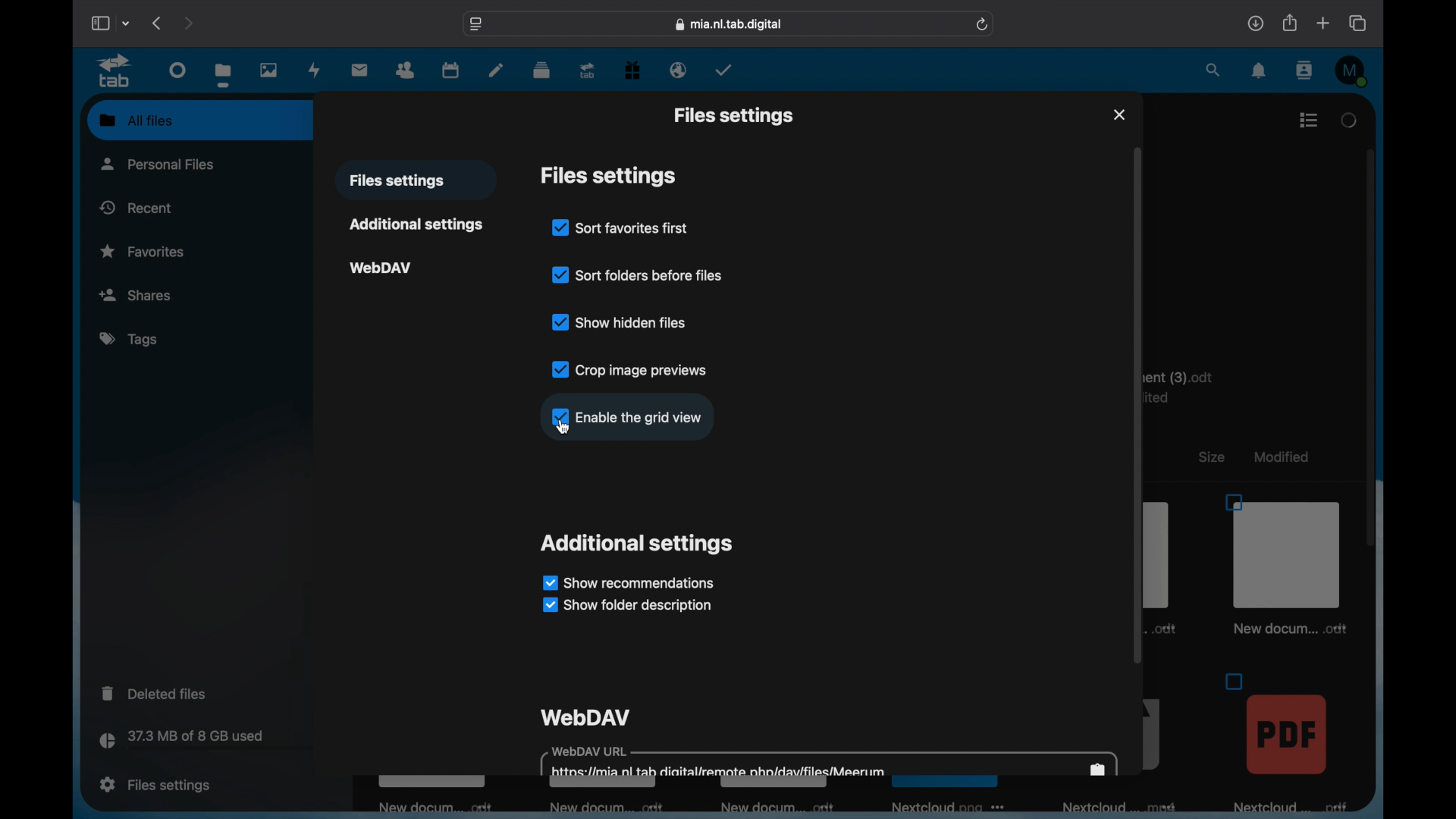  Describe the element at coordinates (608, 176) in the screenshot. I see `files settings` at that location.